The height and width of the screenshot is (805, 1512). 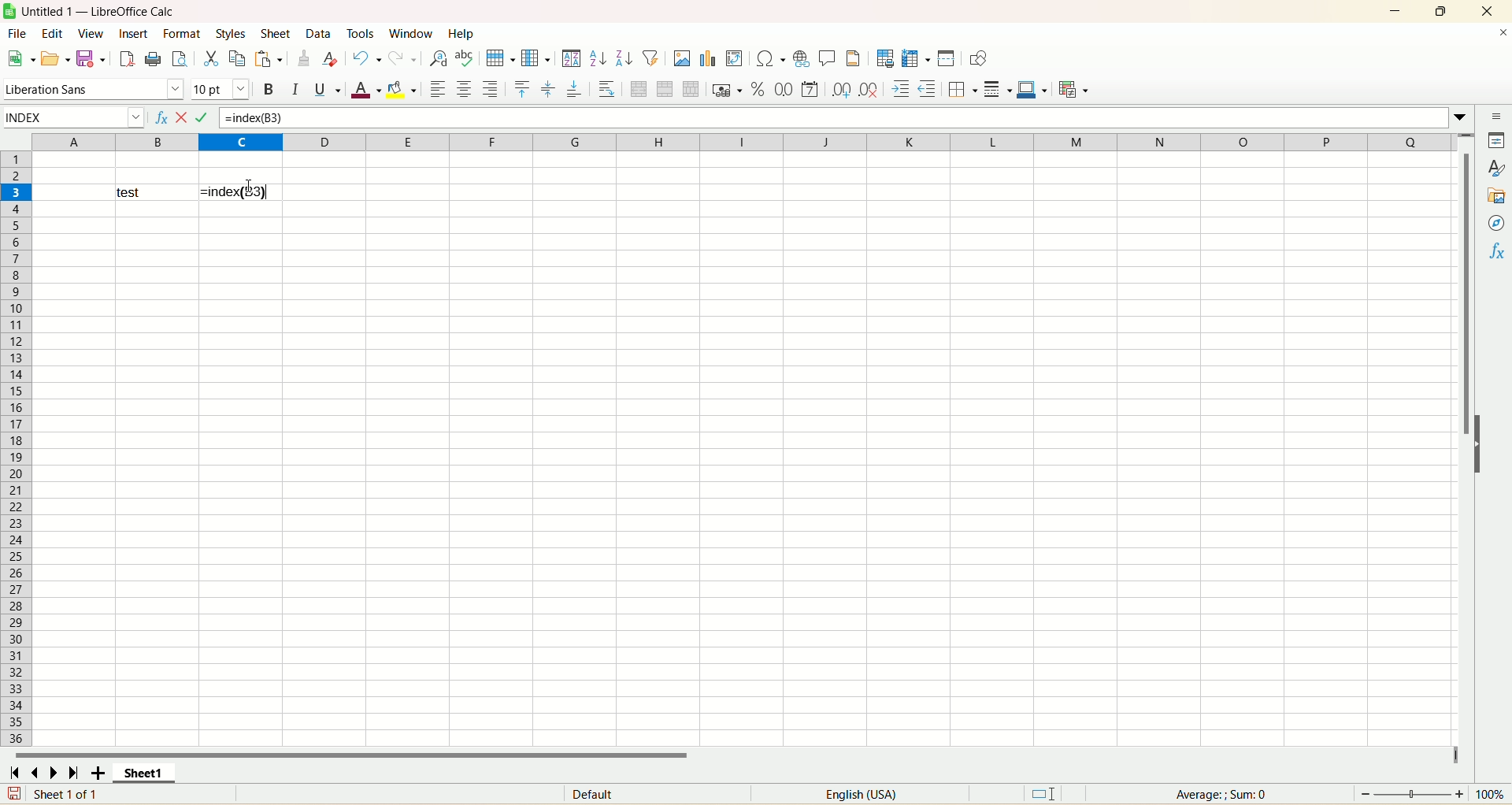 I want to click on add sheet, so click(x=98, y=772).